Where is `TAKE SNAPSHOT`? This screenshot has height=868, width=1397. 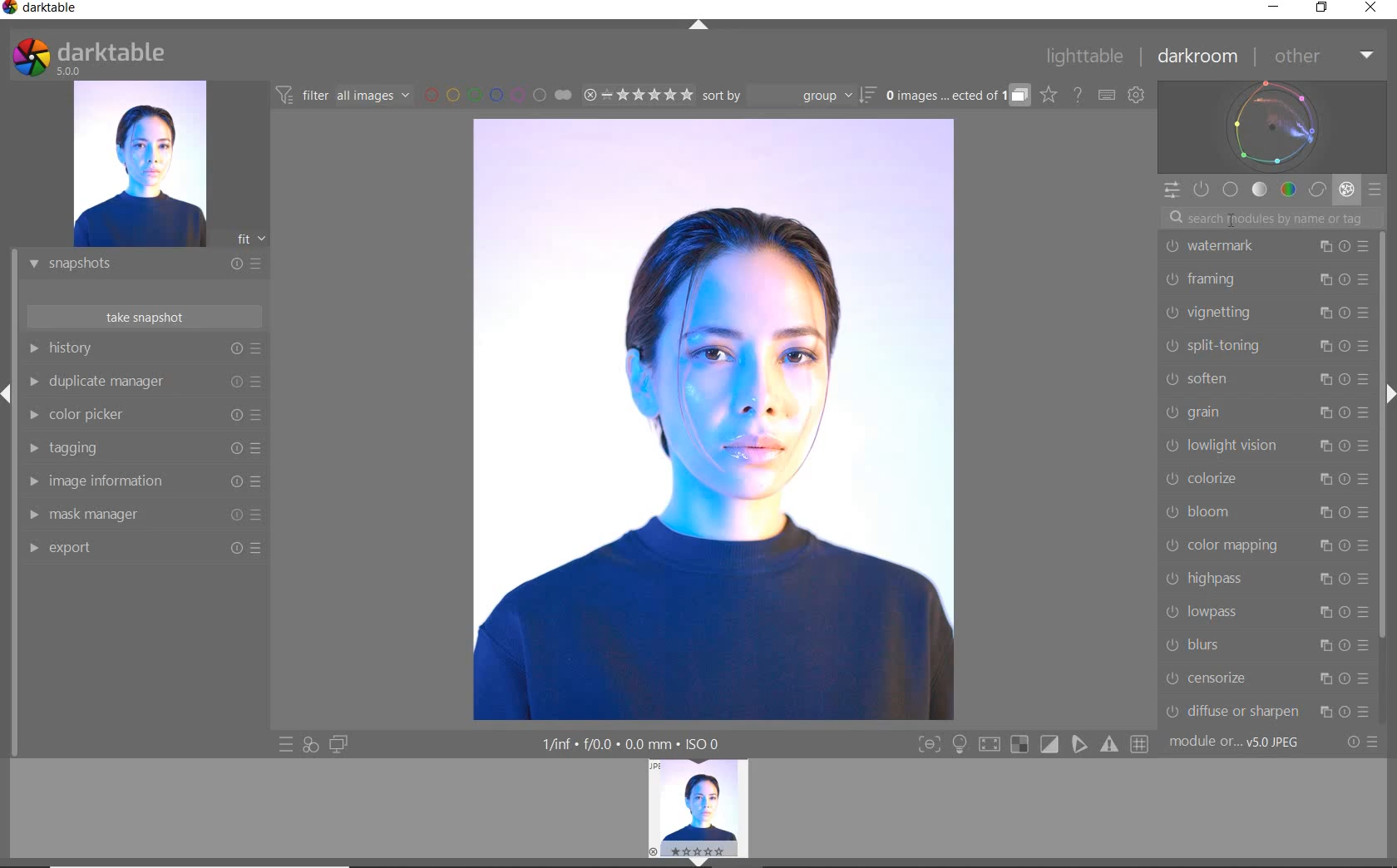
TAKE SNAPSHOT is located at coordinates (143, 316).